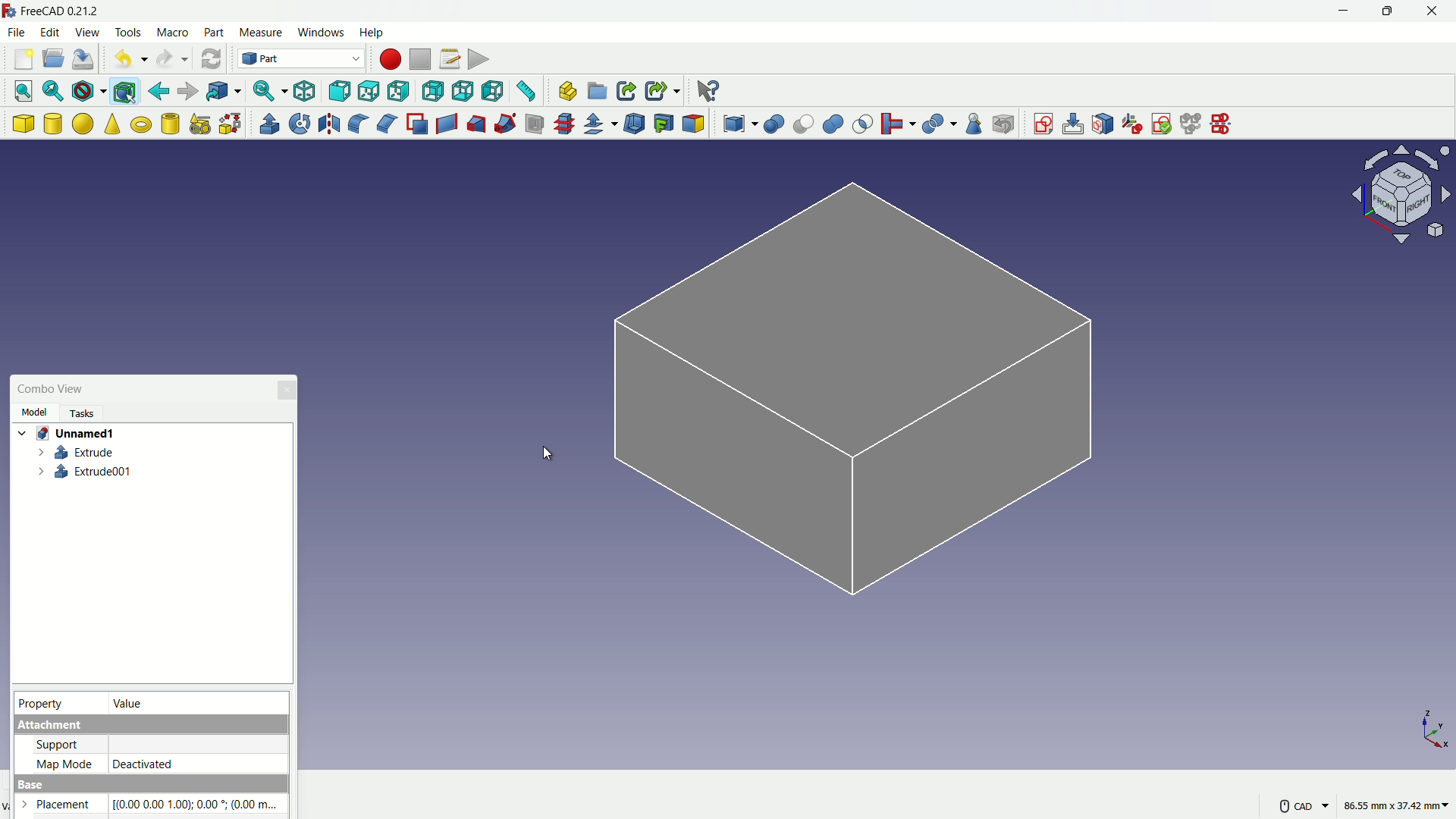 This screenshot has width=1456, height=819. Describe the element at coordinates (23, 60) in the screenshot. I see `new file` at that location.